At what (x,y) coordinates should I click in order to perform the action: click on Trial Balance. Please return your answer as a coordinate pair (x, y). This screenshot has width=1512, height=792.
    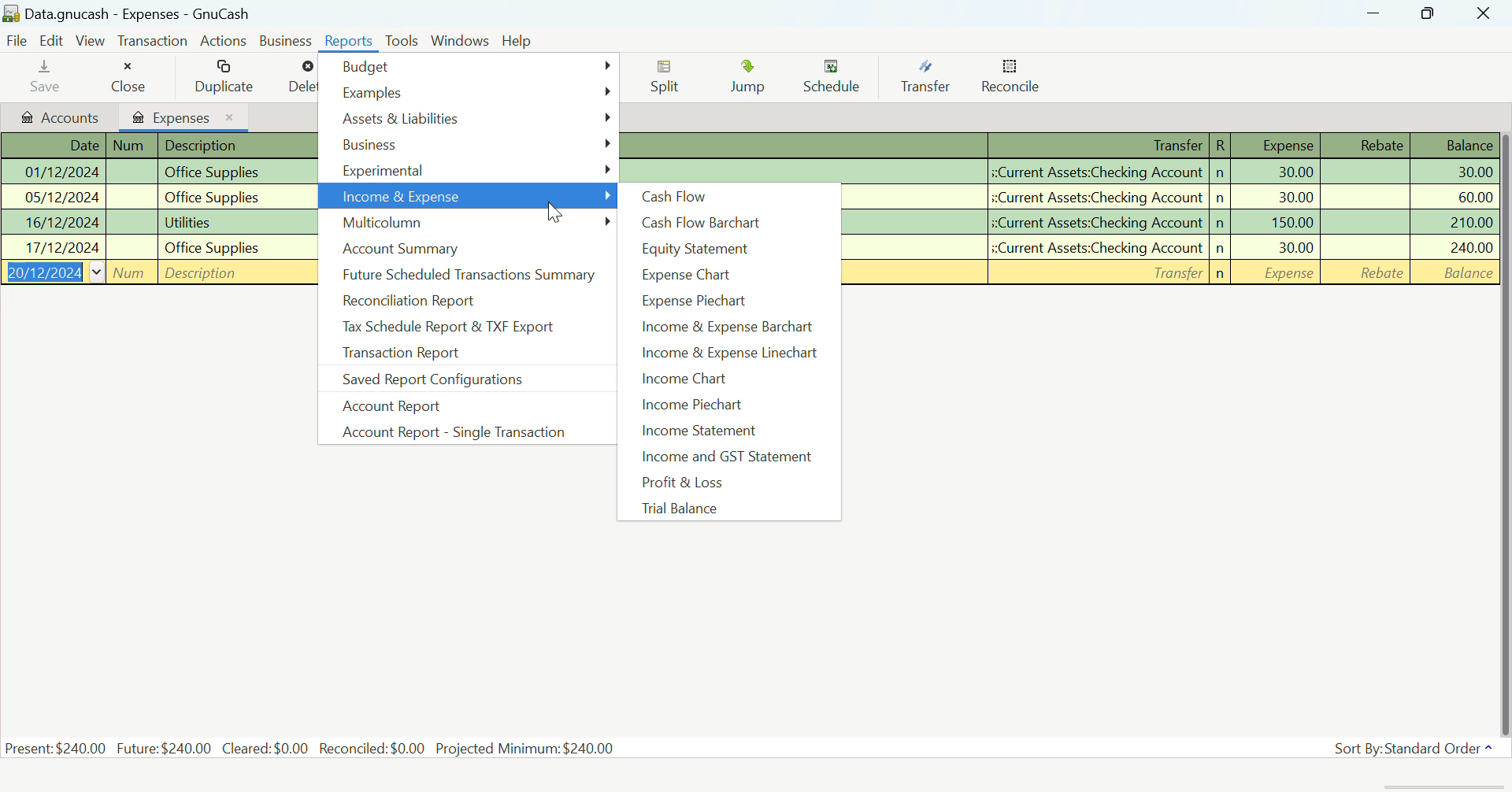
    Looking at the image, I should click on (726, 509).